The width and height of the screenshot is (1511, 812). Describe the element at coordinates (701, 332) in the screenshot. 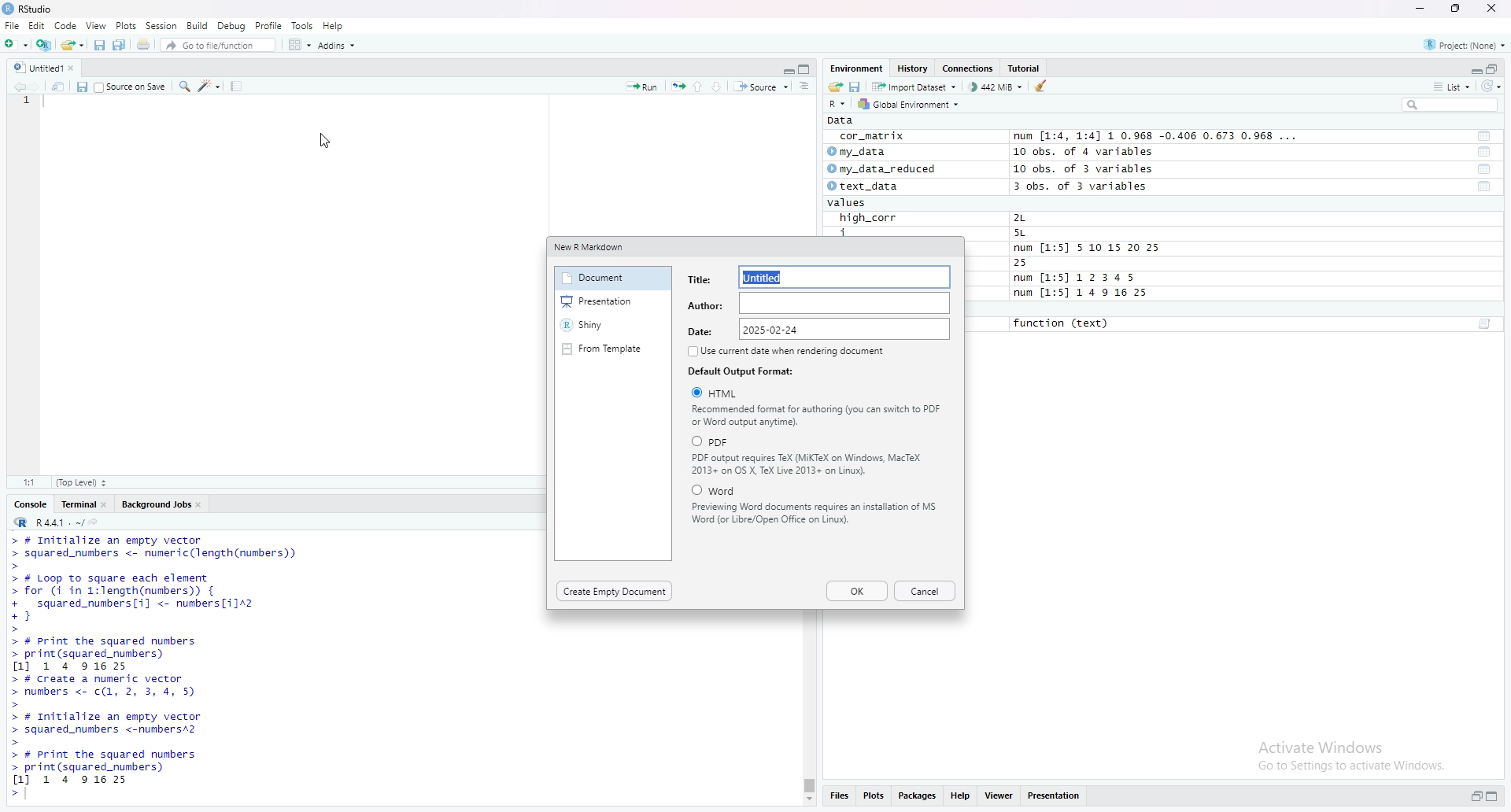

I see `Date:` at that location.